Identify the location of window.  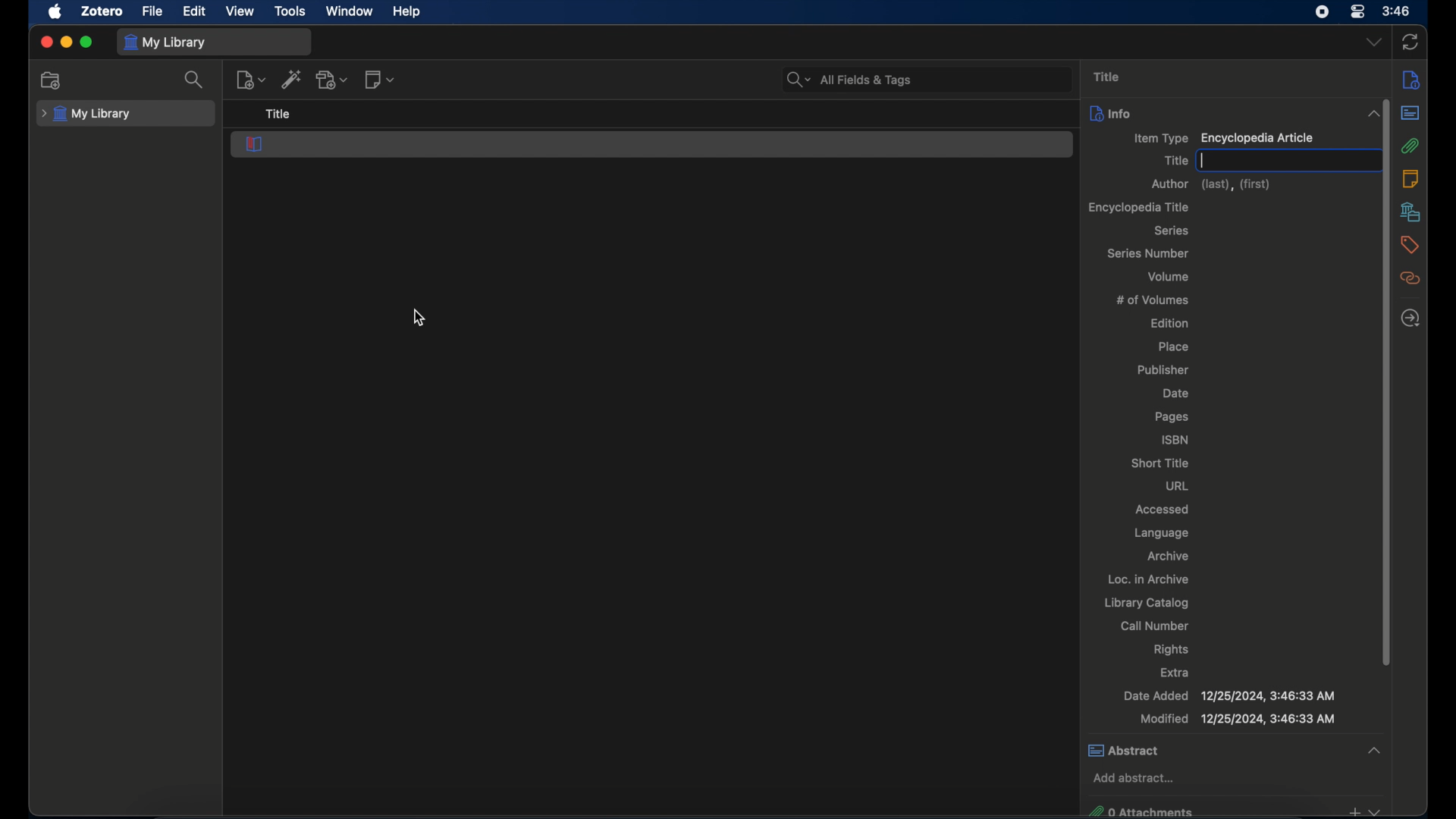
(350, 11).